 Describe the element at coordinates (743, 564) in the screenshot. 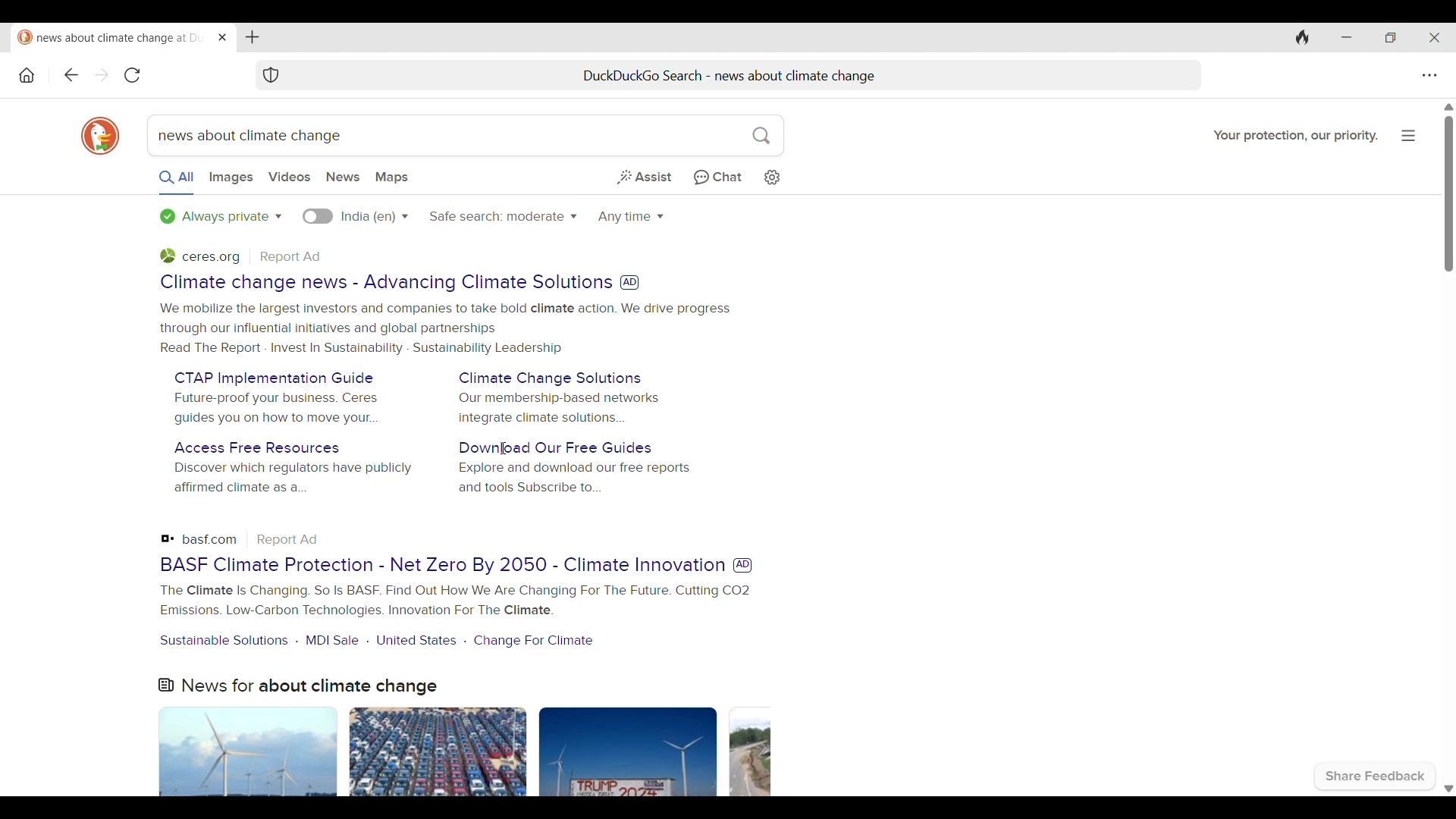

I see `ad` at that location.